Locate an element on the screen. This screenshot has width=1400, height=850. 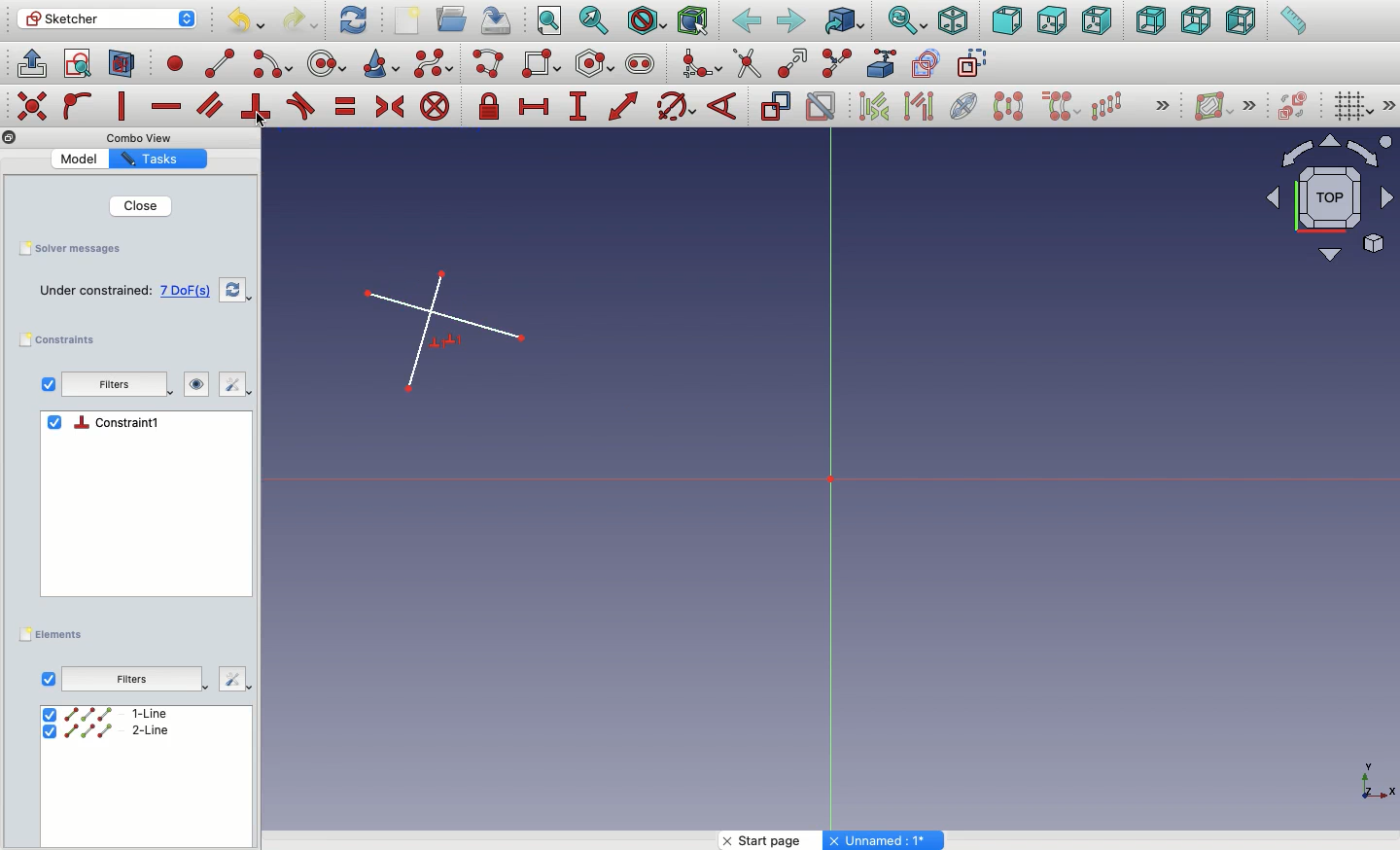
Property  is located at coordinates (157, 160).